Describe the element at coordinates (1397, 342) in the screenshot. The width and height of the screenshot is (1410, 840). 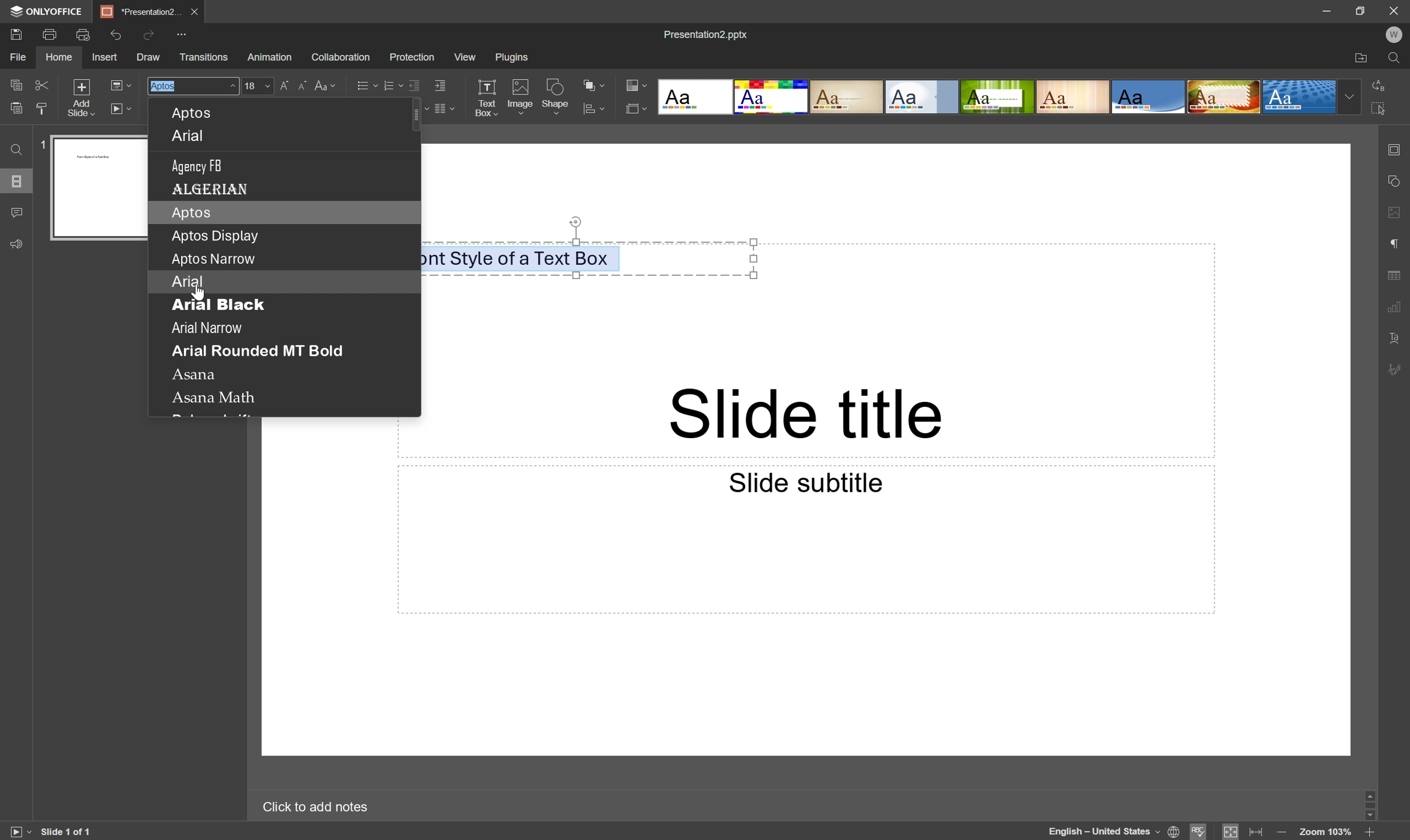
I see `Text Art settings` at that location.